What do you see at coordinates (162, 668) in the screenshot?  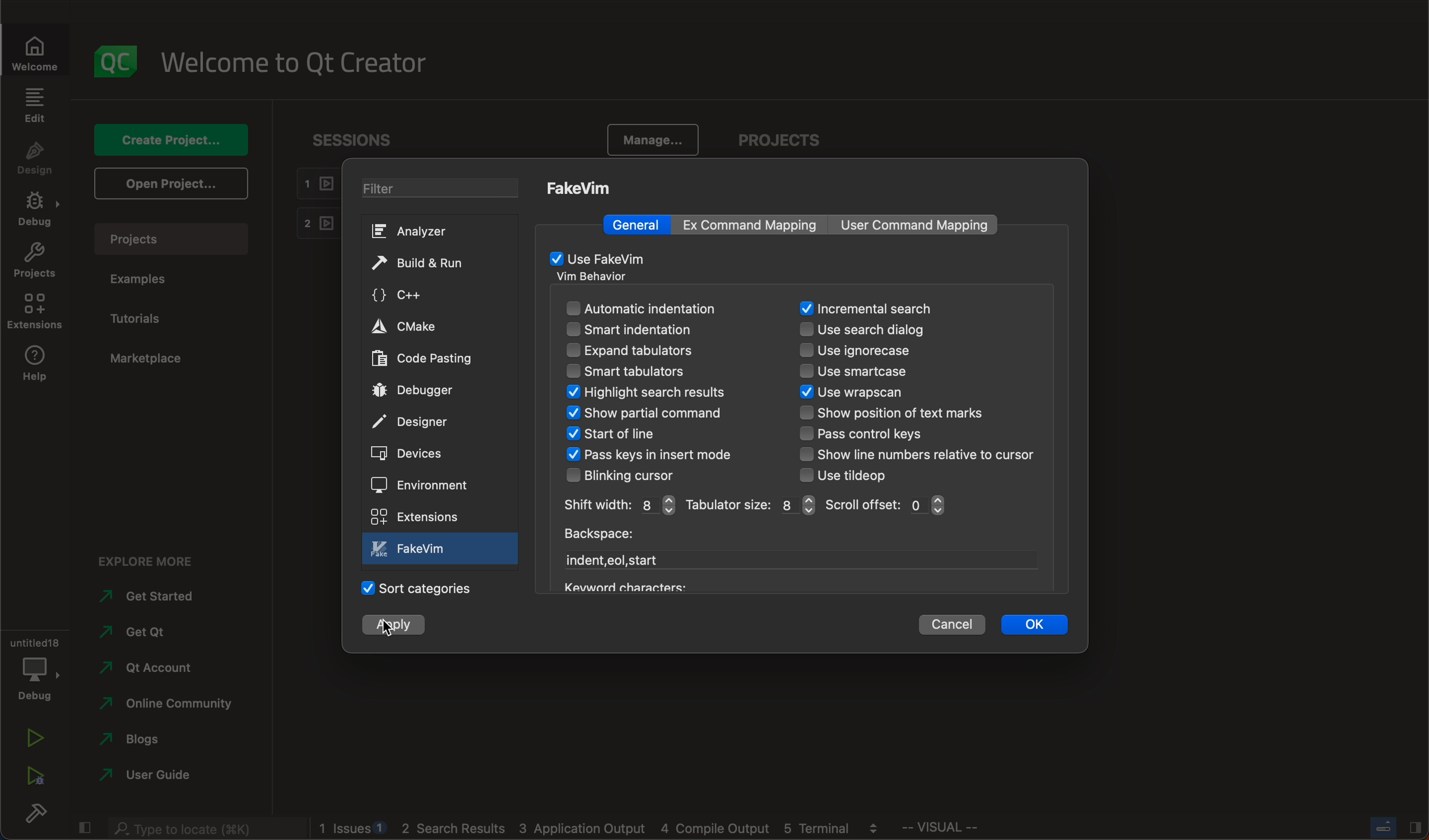 I see `account` at bounding box center [162, 668].